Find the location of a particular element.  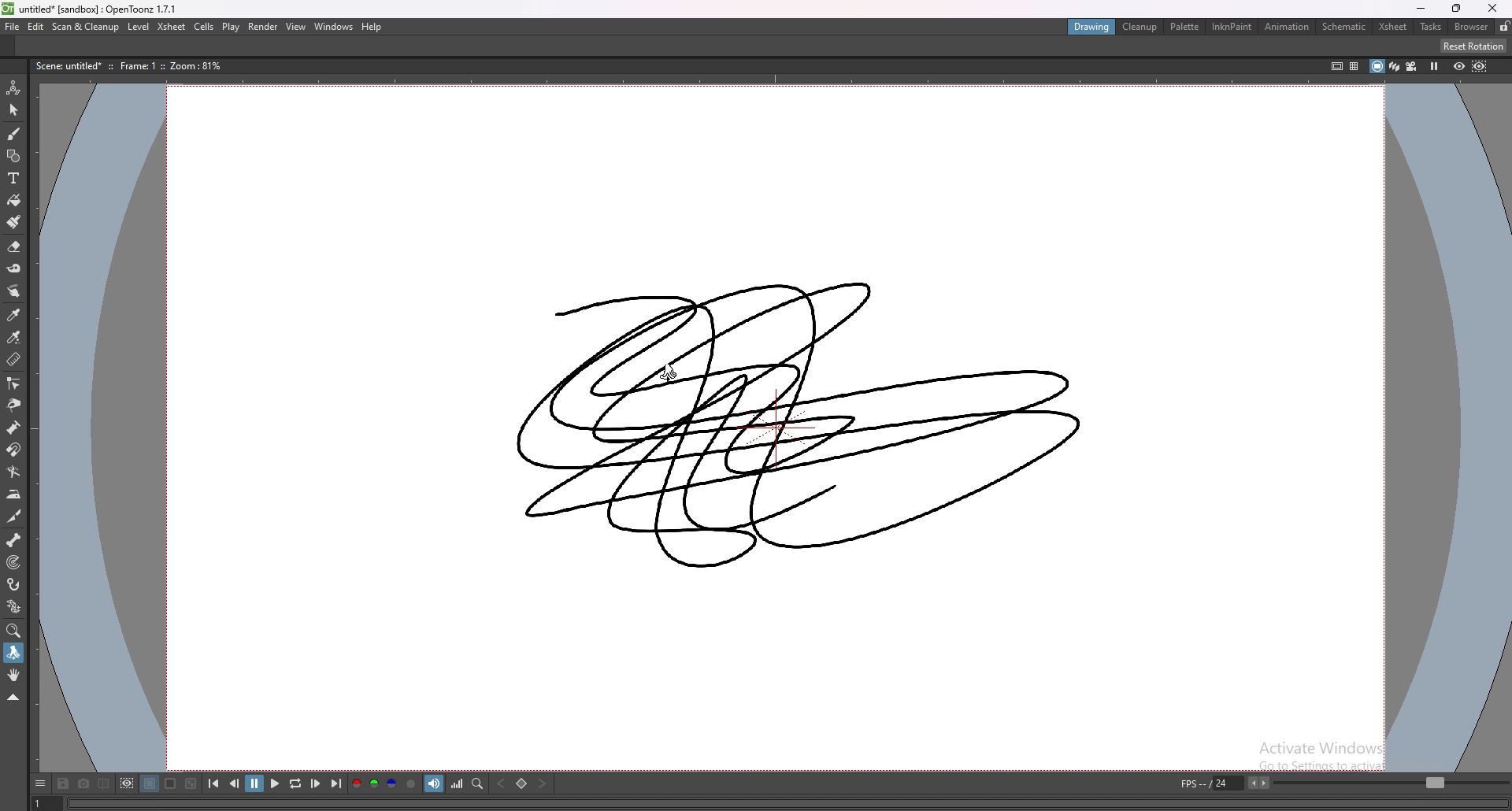

3d is located at coordinates (1395, 66).